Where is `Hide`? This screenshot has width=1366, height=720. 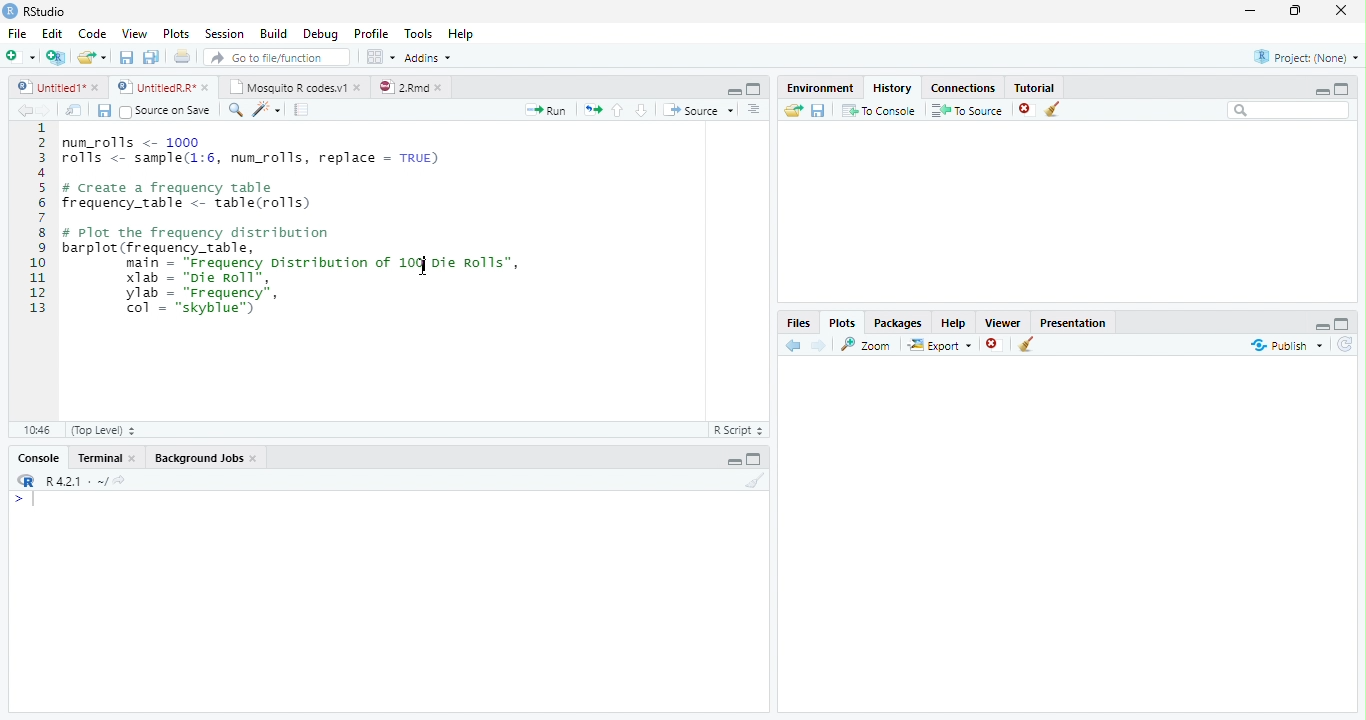
Hide is located at coordinates (731, 461).